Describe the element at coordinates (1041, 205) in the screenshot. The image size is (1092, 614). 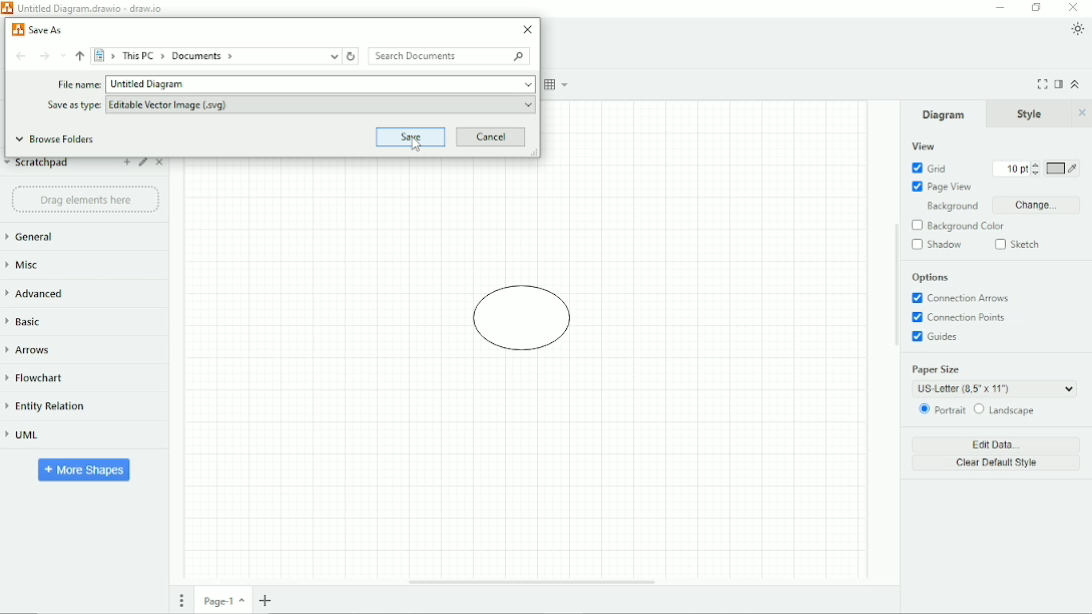
I see `Change` at that location.